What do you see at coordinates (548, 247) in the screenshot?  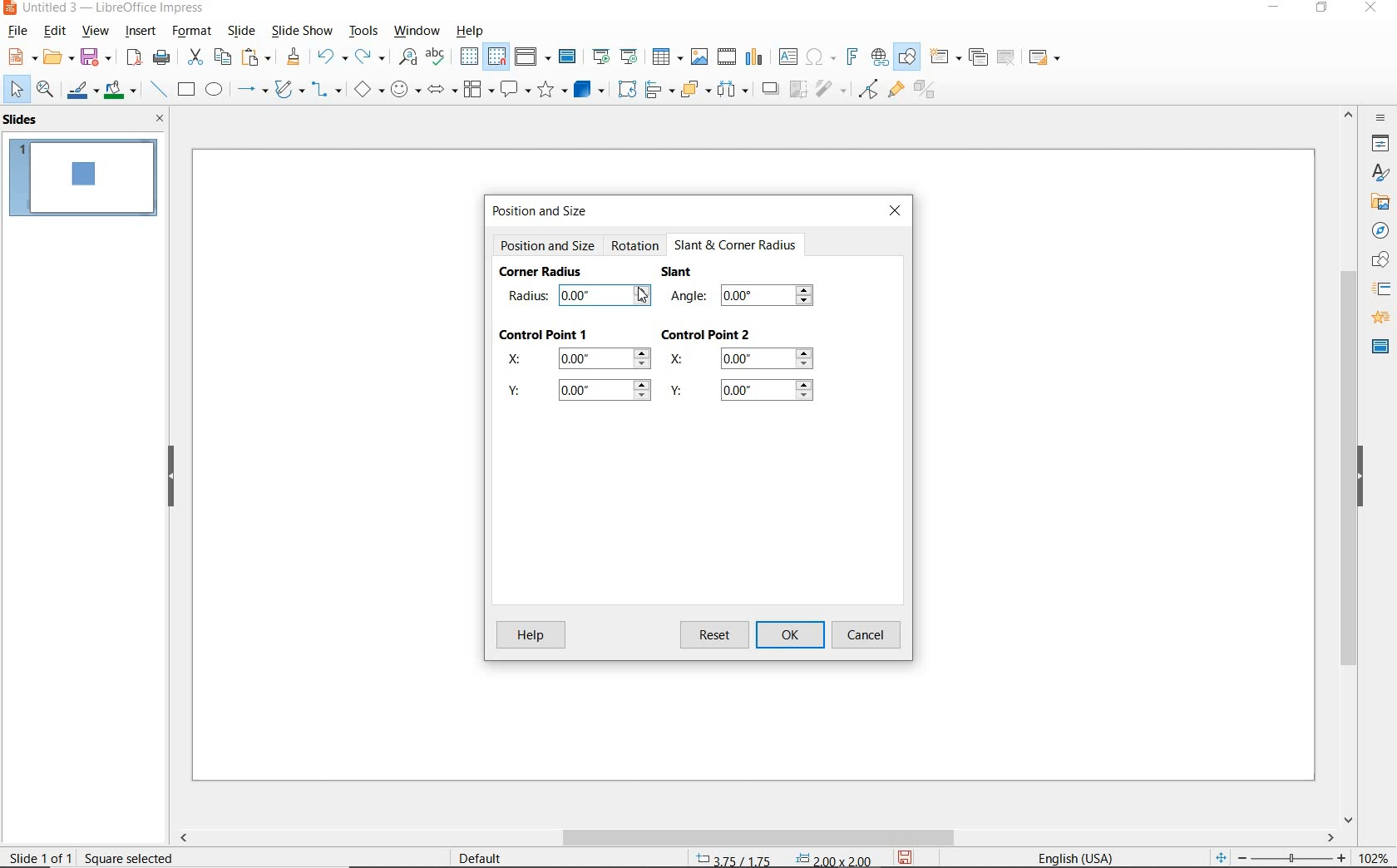 I see `POSITION AND SIZE` at bounding box center [548, 247].